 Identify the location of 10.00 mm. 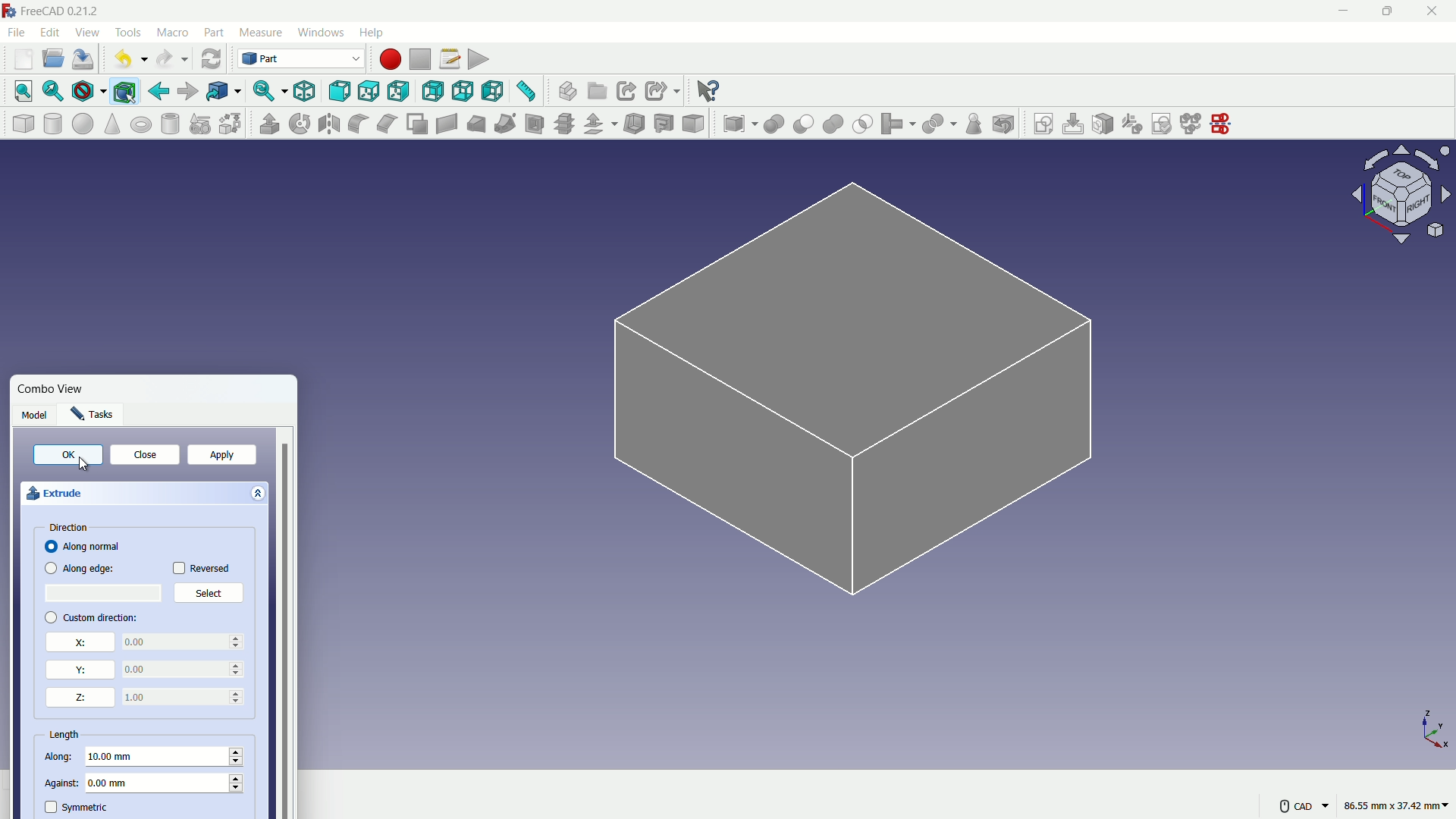
(162, 757).